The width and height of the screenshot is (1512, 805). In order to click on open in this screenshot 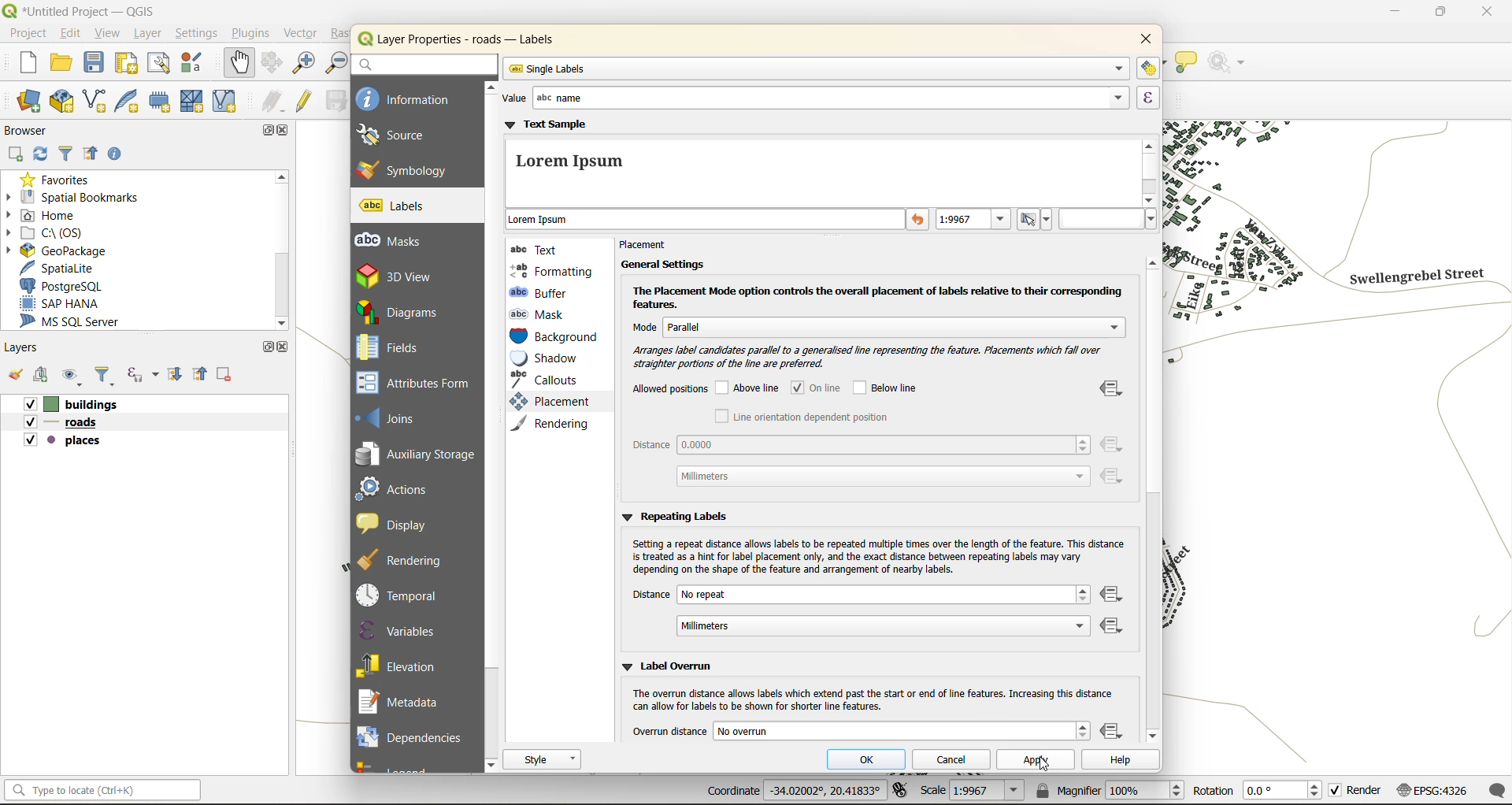, I will do `click(13, 373)`.